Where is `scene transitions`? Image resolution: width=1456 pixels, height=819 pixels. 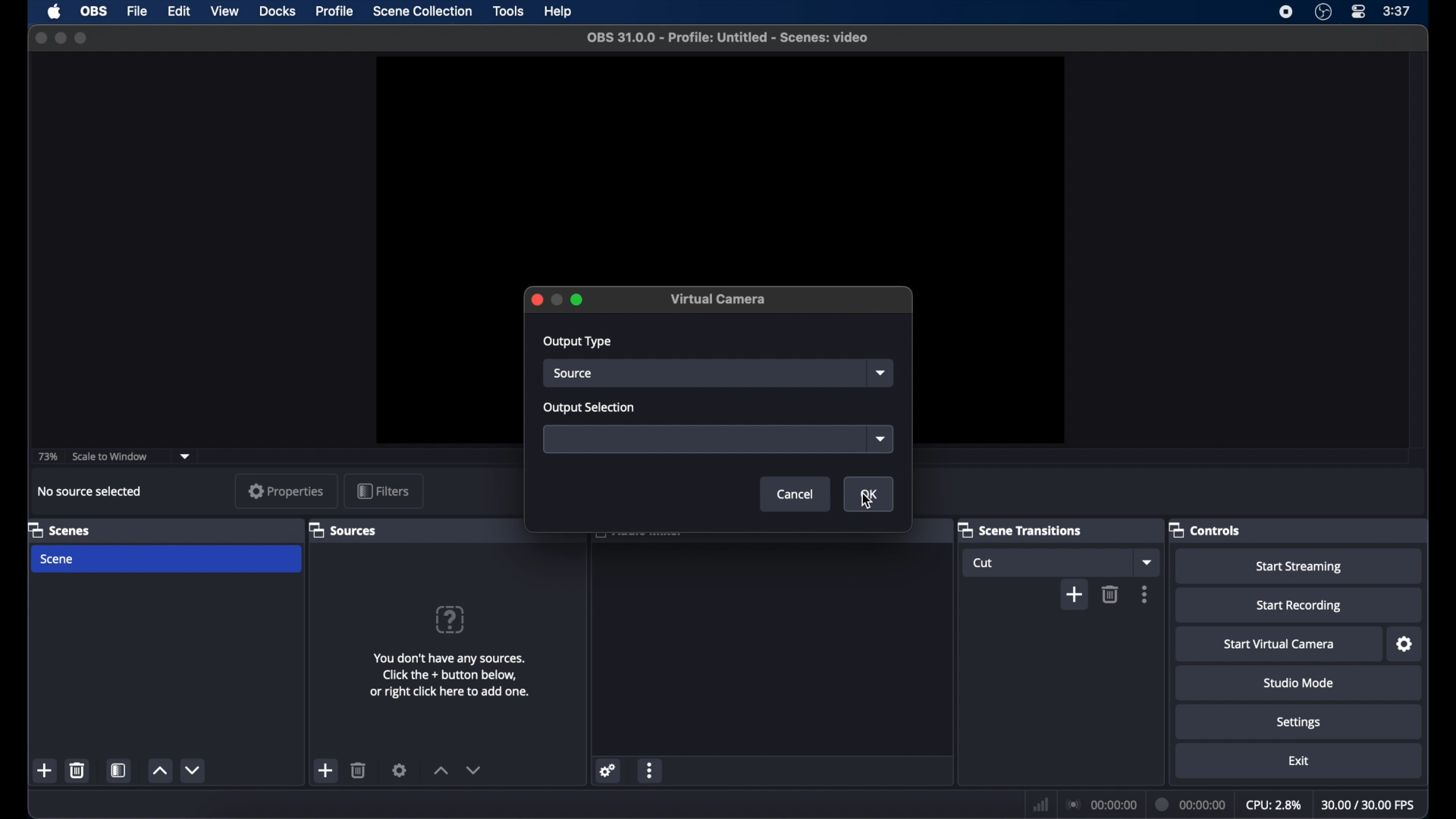 scene transitions is located at coordinates (1021, 529).